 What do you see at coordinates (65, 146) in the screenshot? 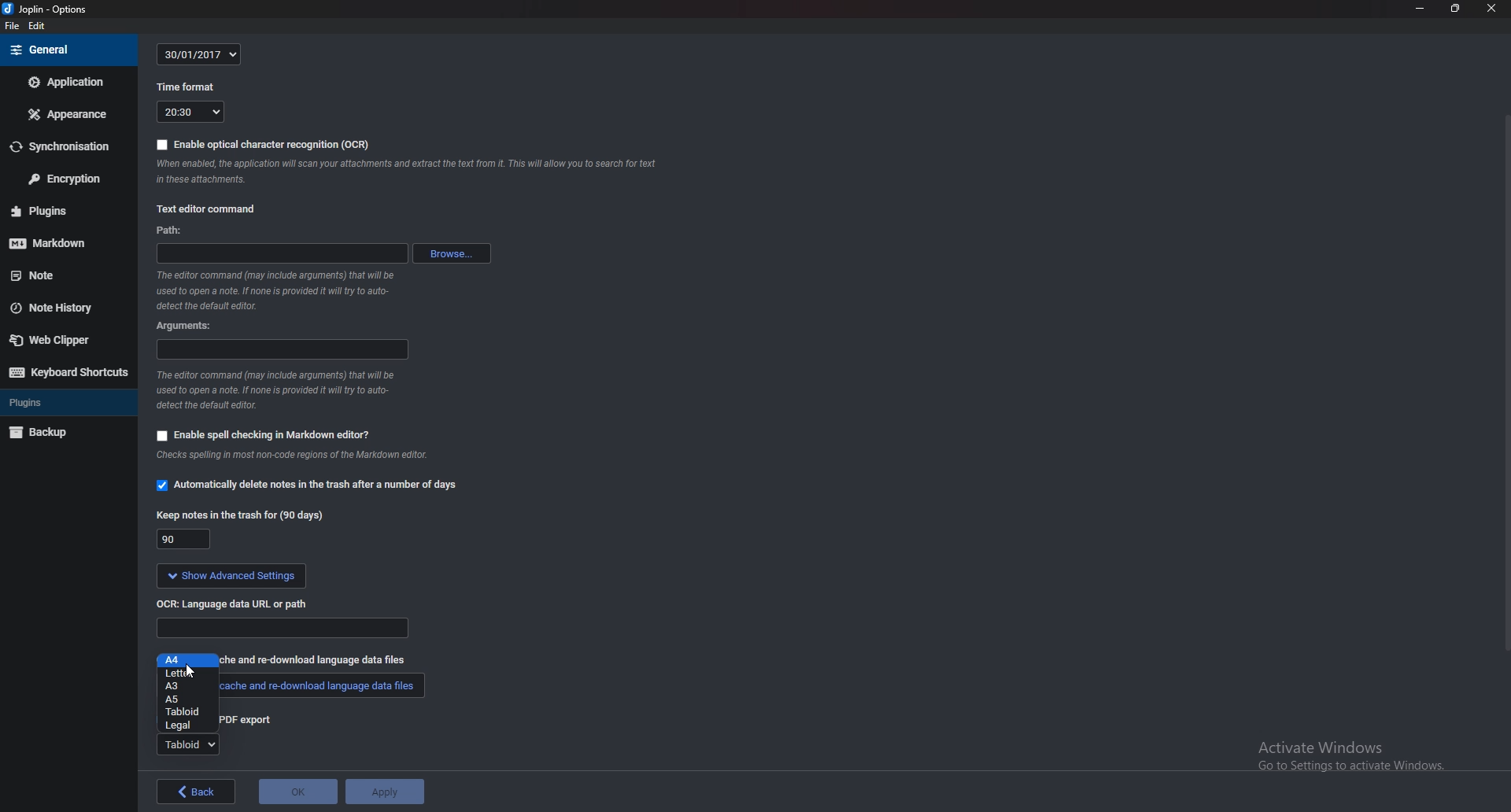
I see `Synchronization` at bounding box center [65, 146].